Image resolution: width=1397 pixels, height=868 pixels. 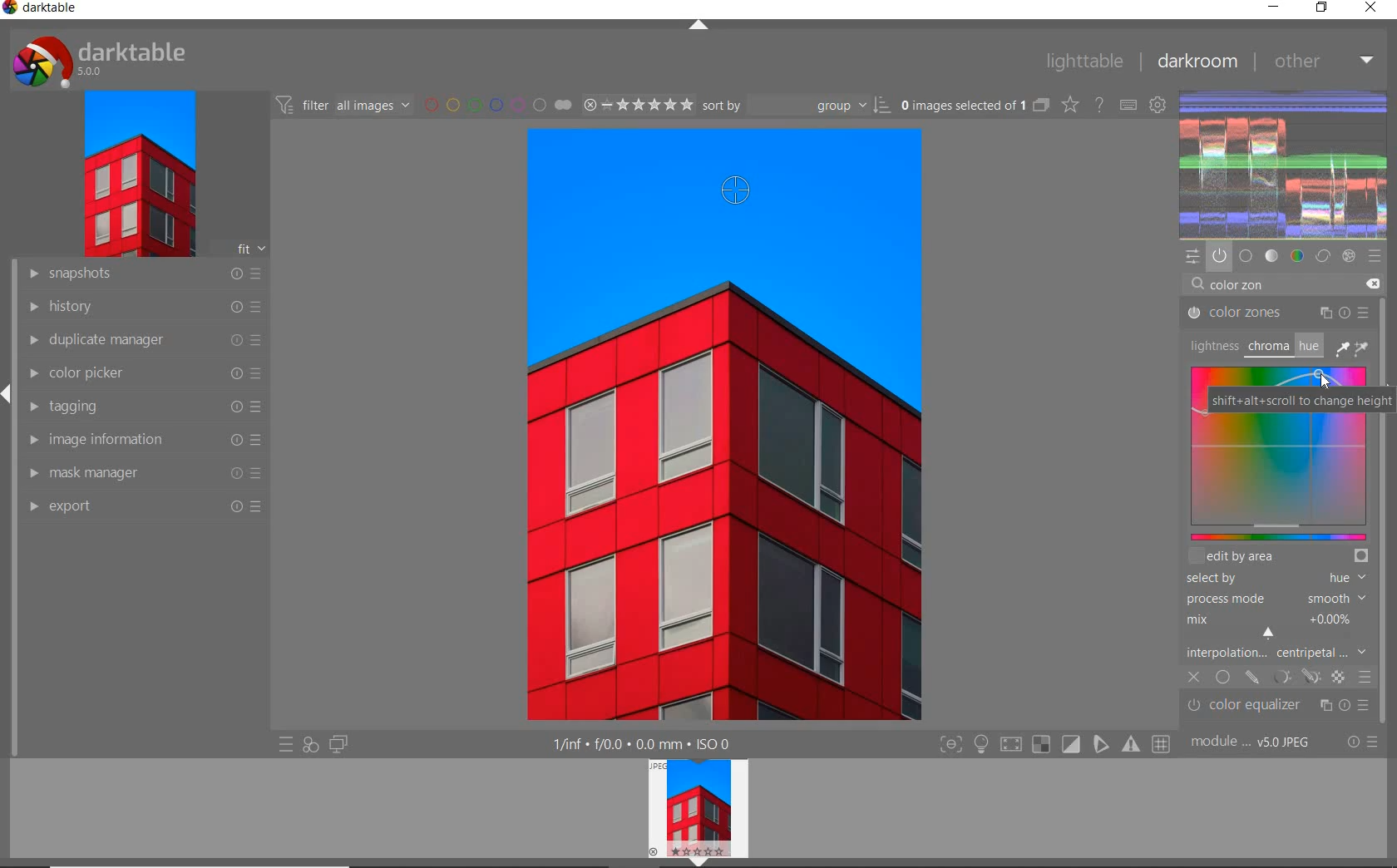 I want to click on BLENDING OPTIONS, so click(x=1365, y=676).